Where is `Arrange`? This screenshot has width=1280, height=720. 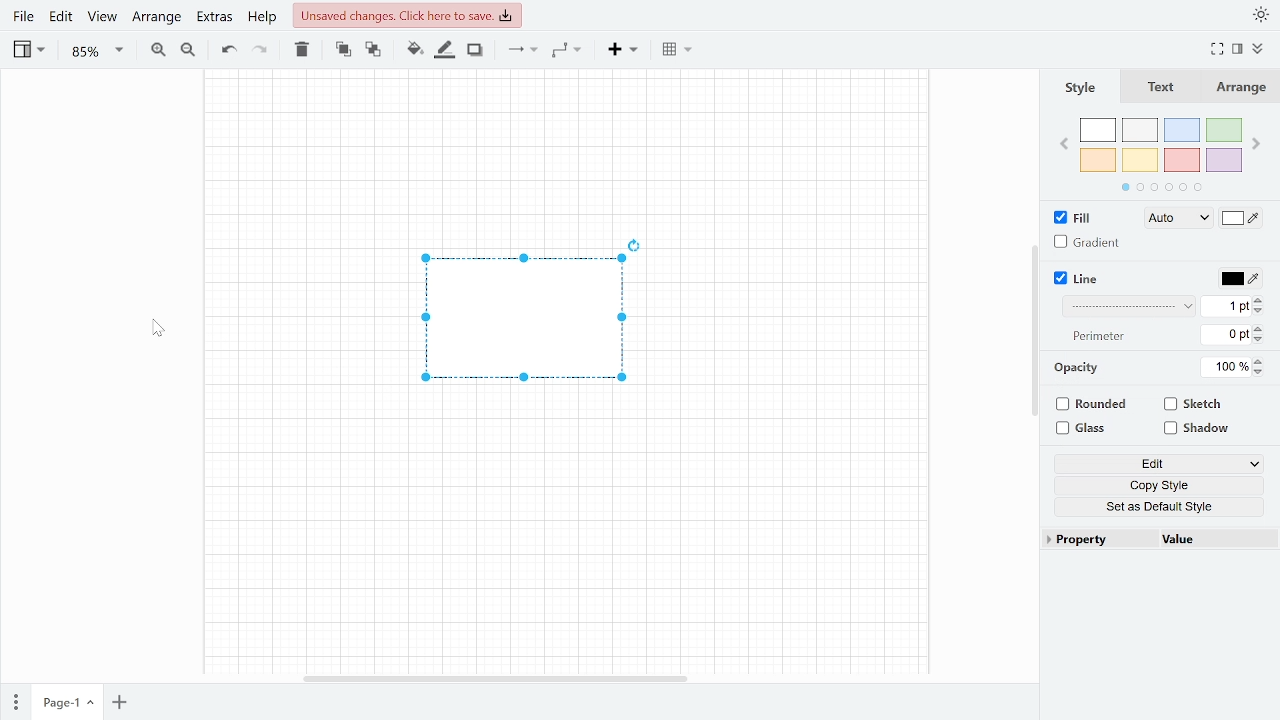
Arrange is located at coordinates (1243, 86).